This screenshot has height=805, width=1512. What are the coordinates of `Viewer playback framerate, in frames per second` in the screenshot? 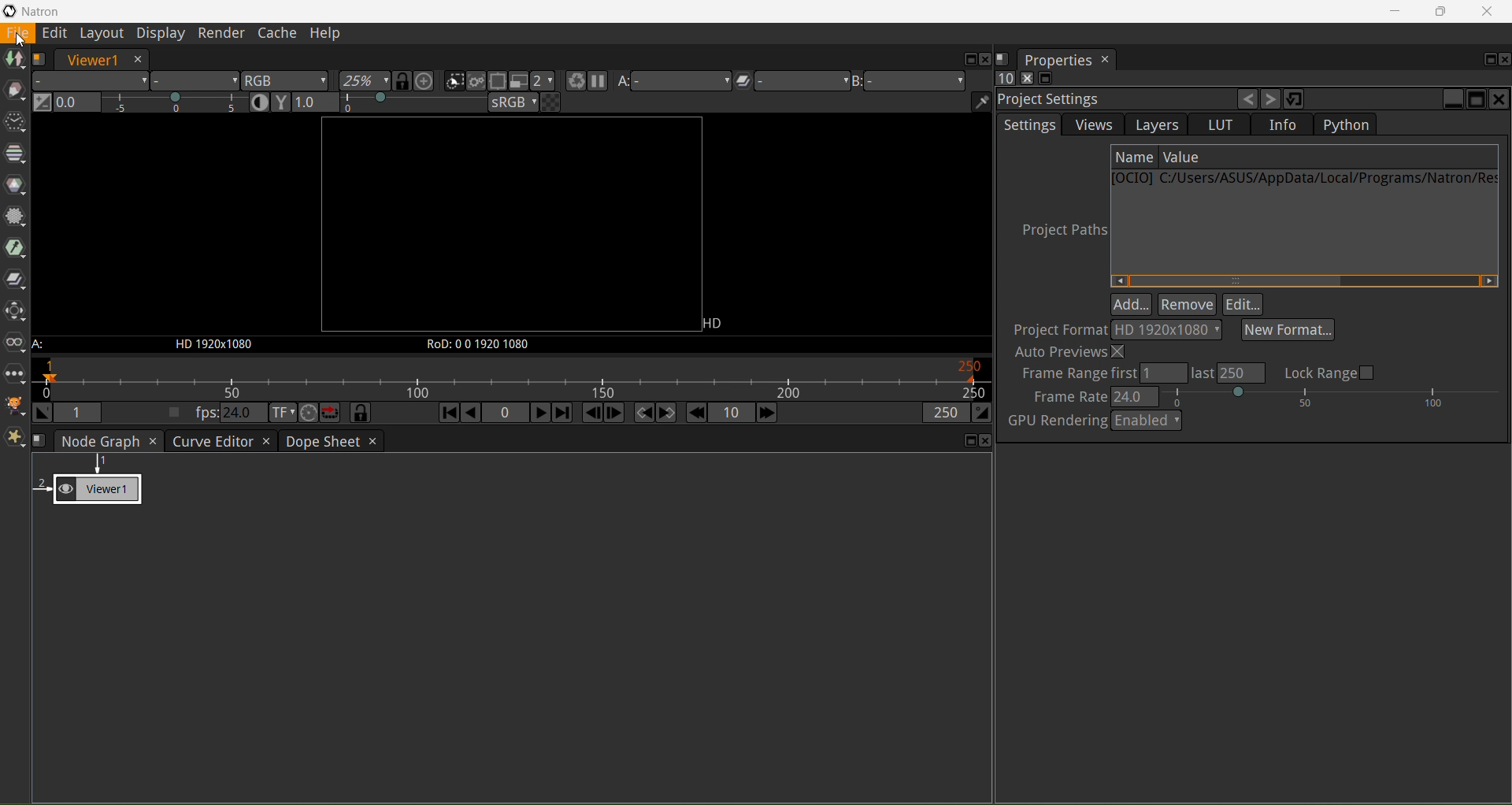 It's located at (228, 413).